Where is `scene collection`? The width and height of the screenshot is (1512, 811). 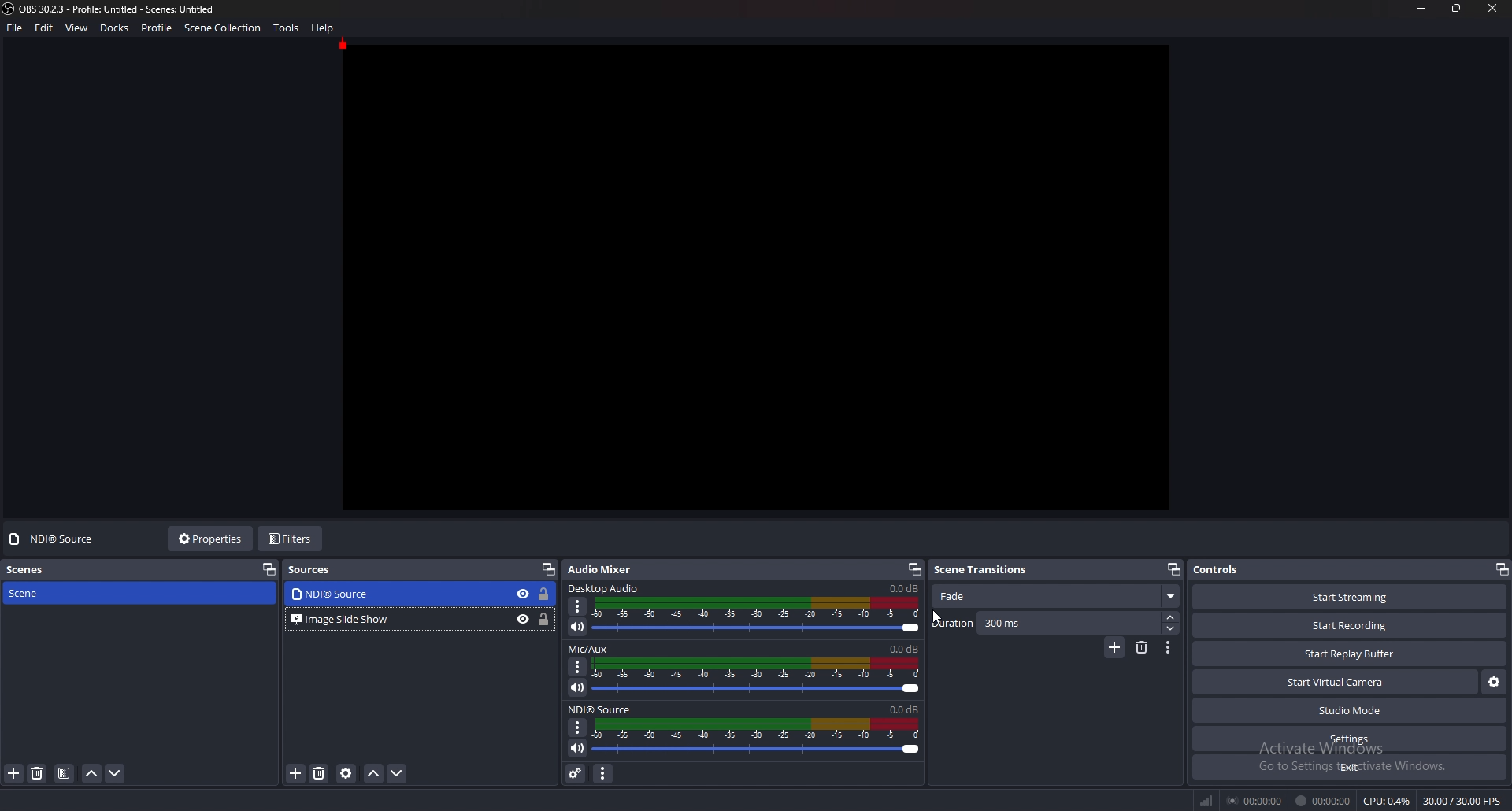 scene collection is located at coordinates (224, 27).